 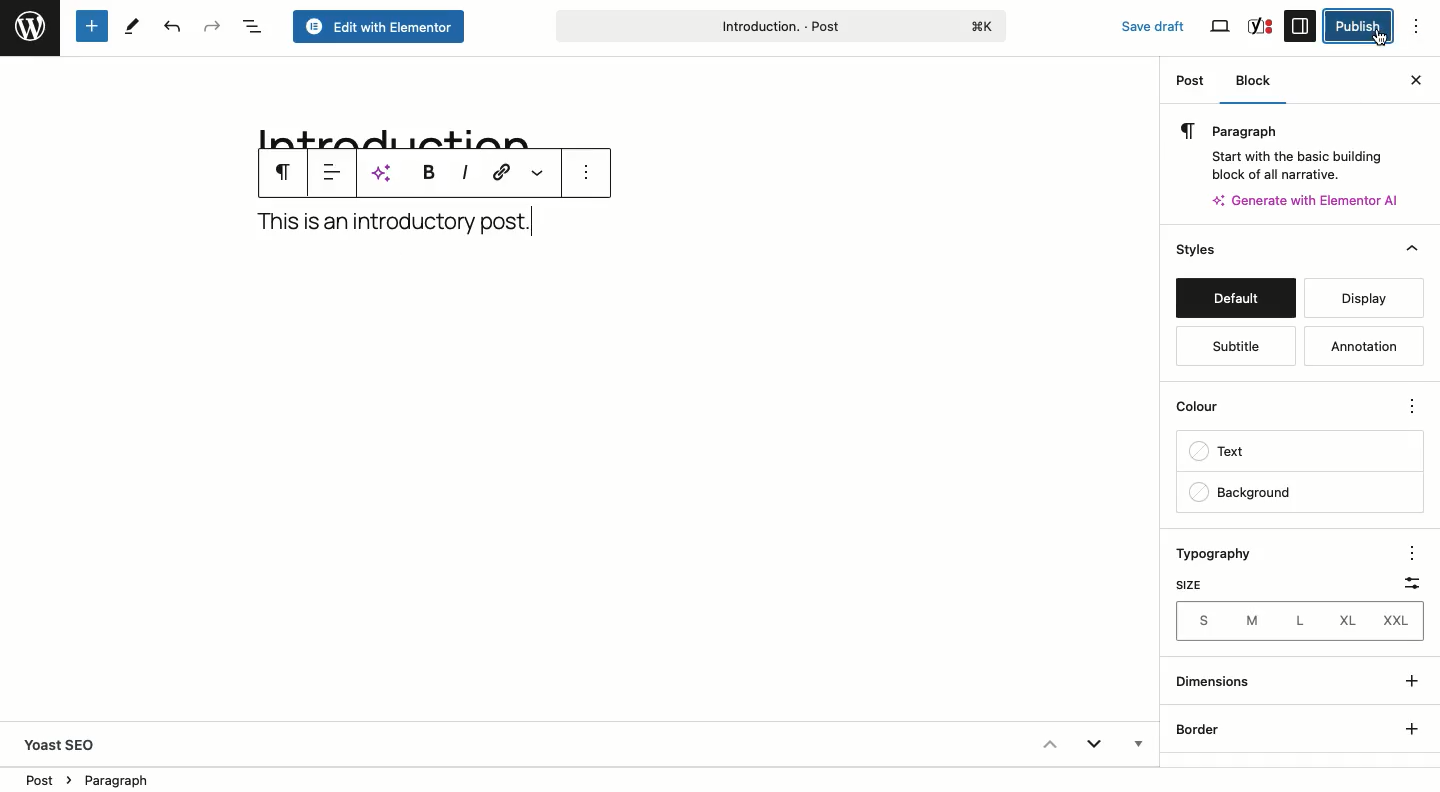 What do you see at coordinates (1142, 22) in the screenshot?
I see `Save draft` at bounding box center [1142, 22].